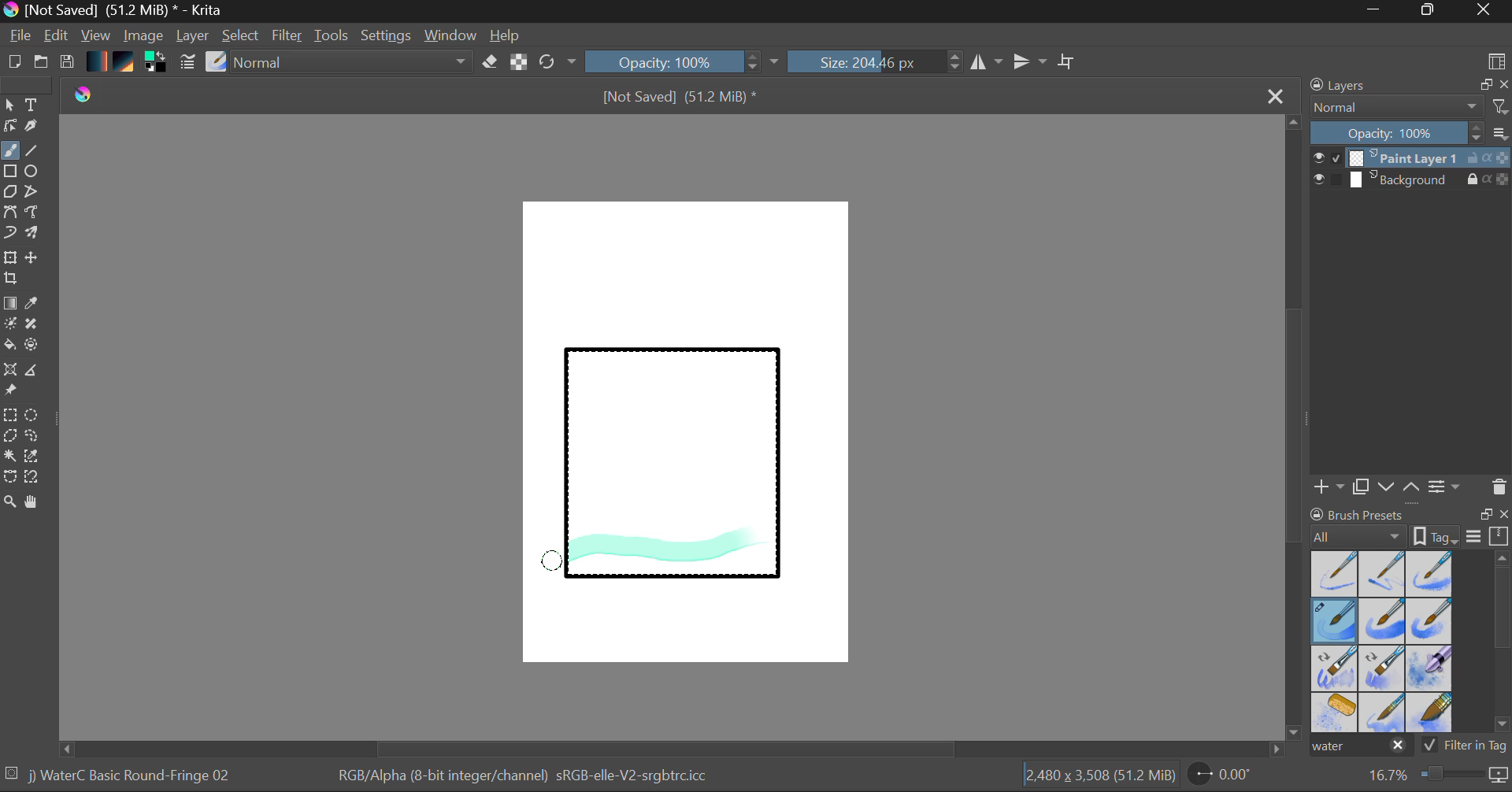 This screenshot has height=792, width=1512. What do you see at coordinates (673, 749) in the screenshot?
I see `Scroll Bar` at bounding box center [673, 749].